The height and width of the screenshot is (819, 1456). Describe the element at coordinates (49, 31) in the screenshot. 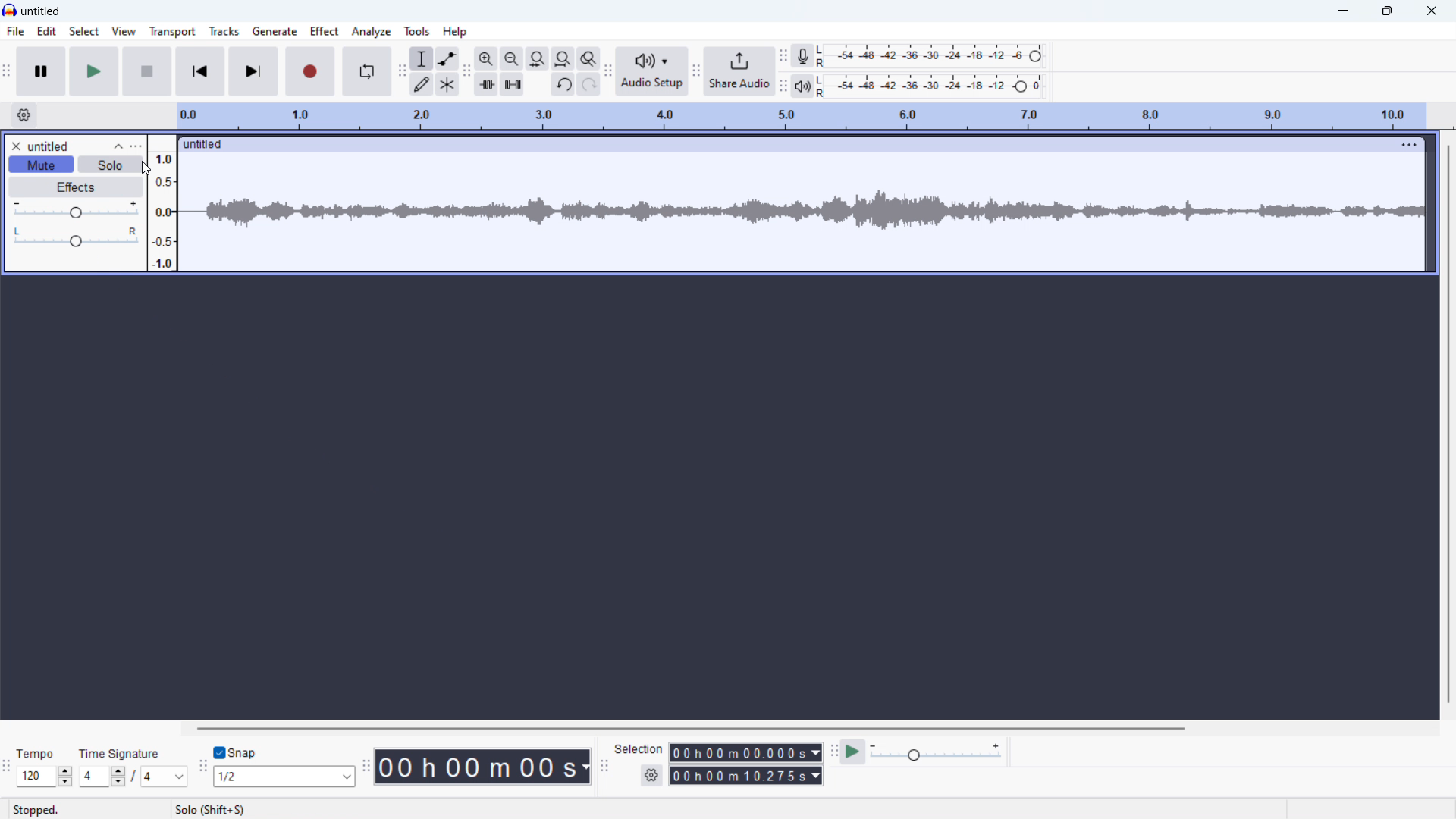

I see `edit` at that location.